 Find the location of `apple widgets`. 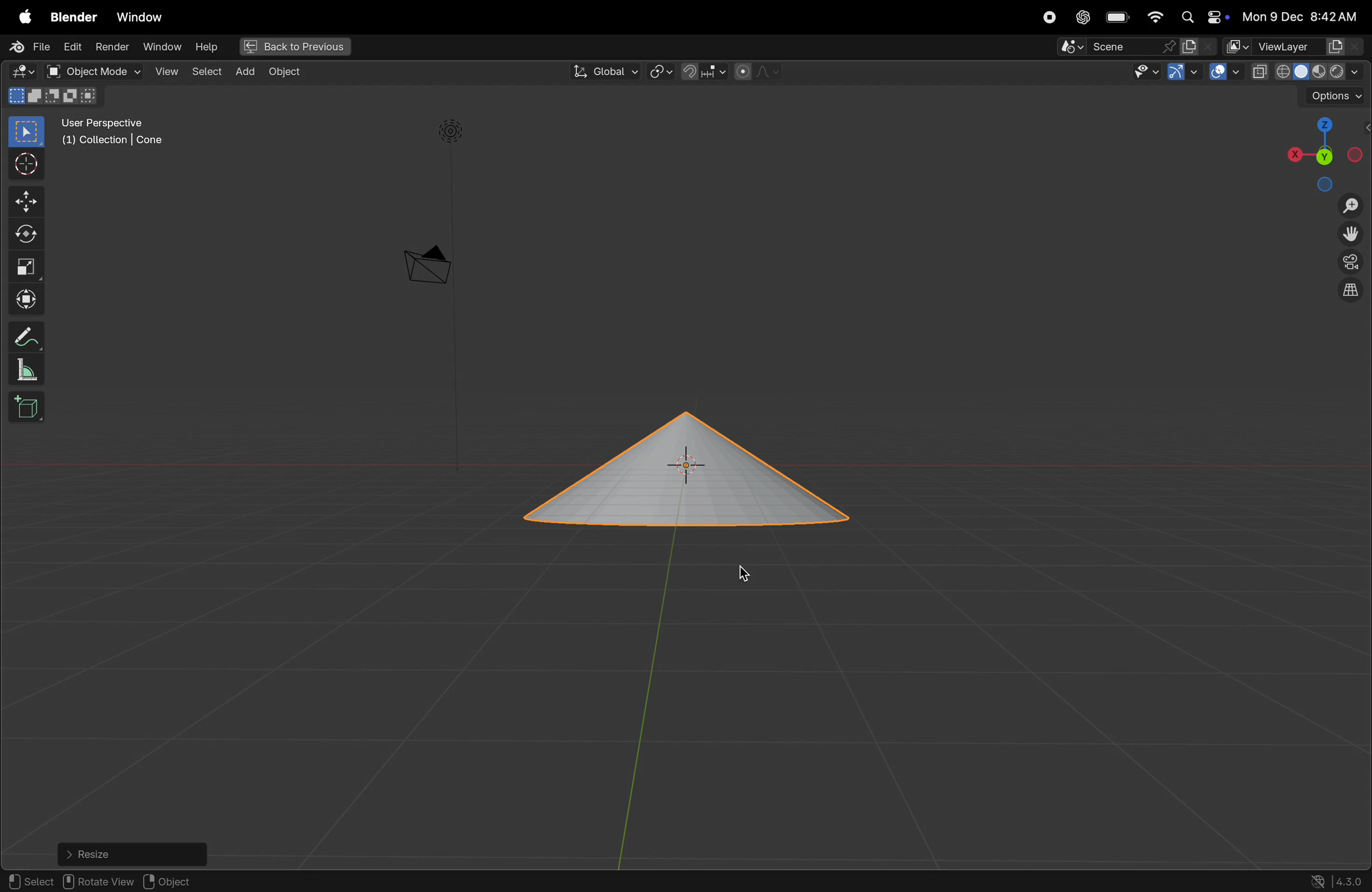

apple widgets is located at coordinates (1201, 17).